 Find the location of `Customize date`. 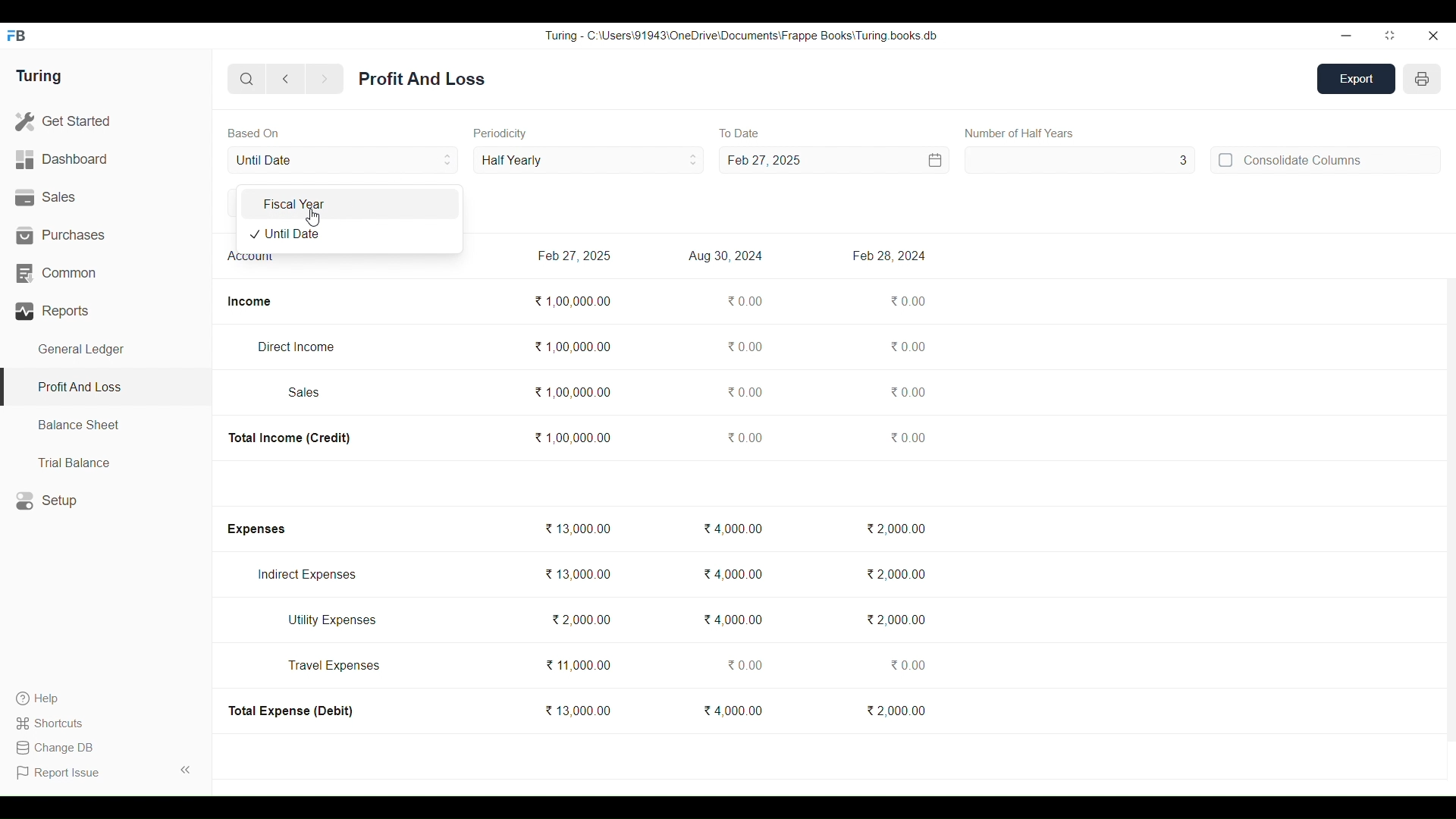

Customize date is located at coordinates (877, 160).